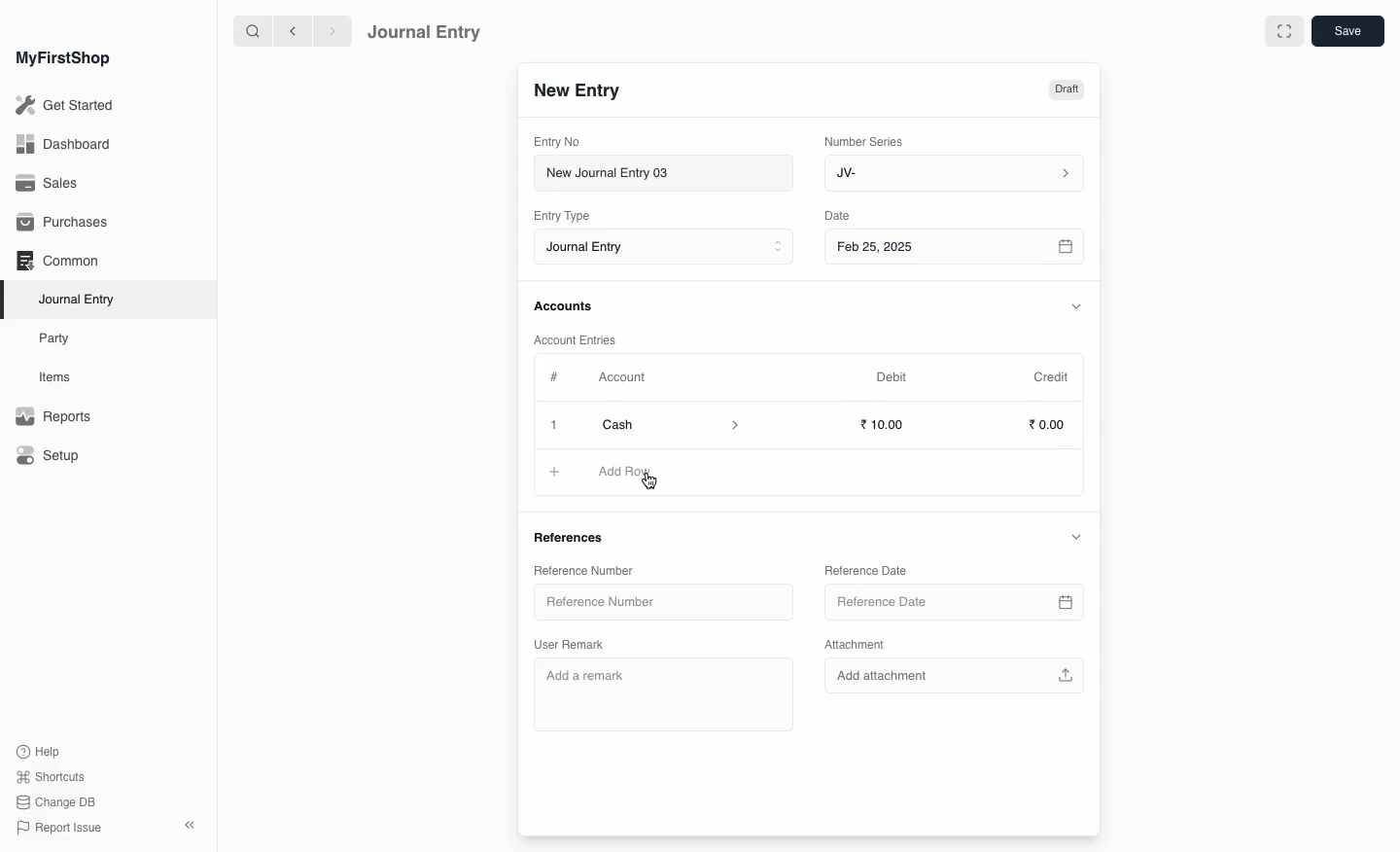  What do you see at coordinates (57, 828) in the screenshot?
I see `Report Issue` at bounding box center [57, 828].